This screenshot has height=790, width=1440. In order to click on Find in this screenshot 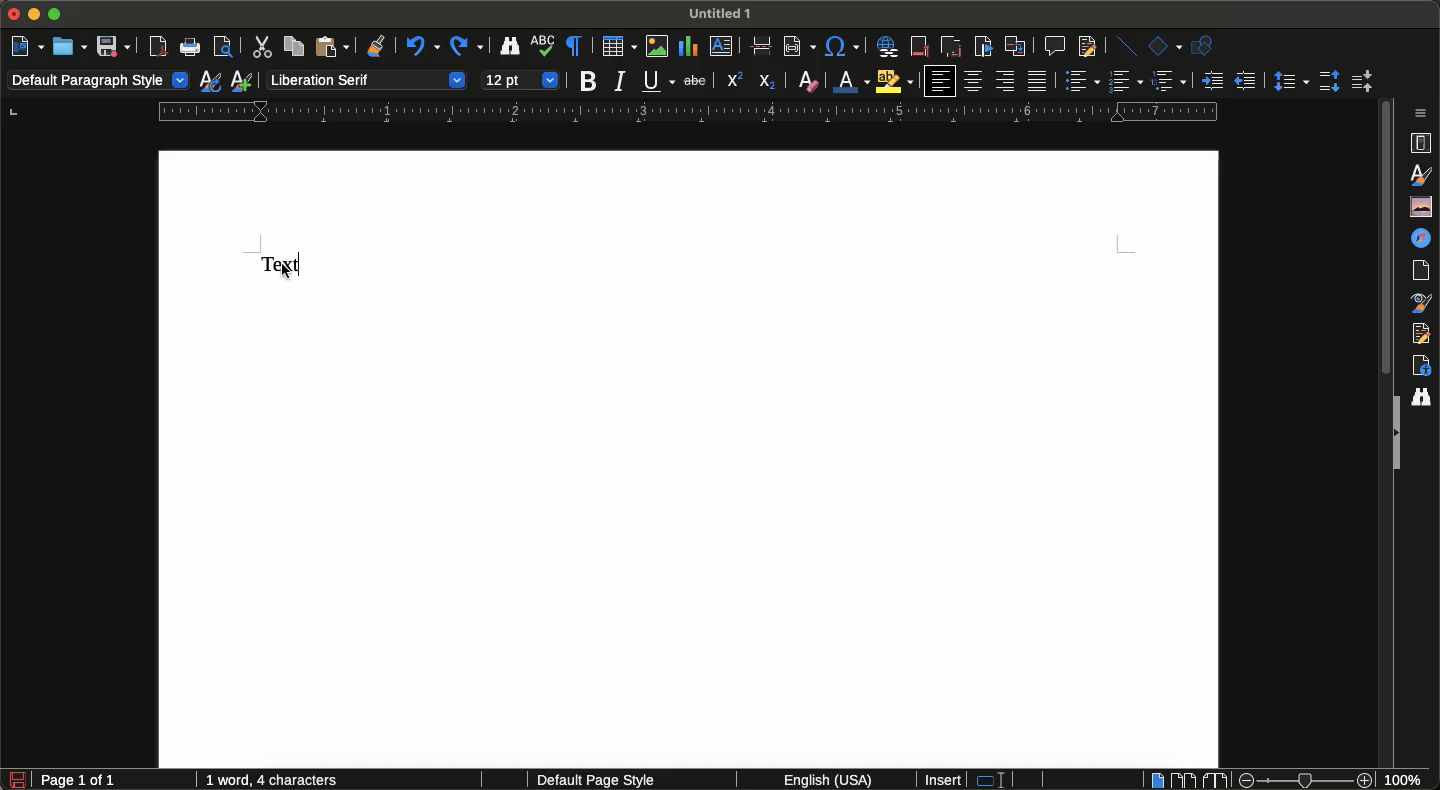, I will do `click(1425, 395)`.